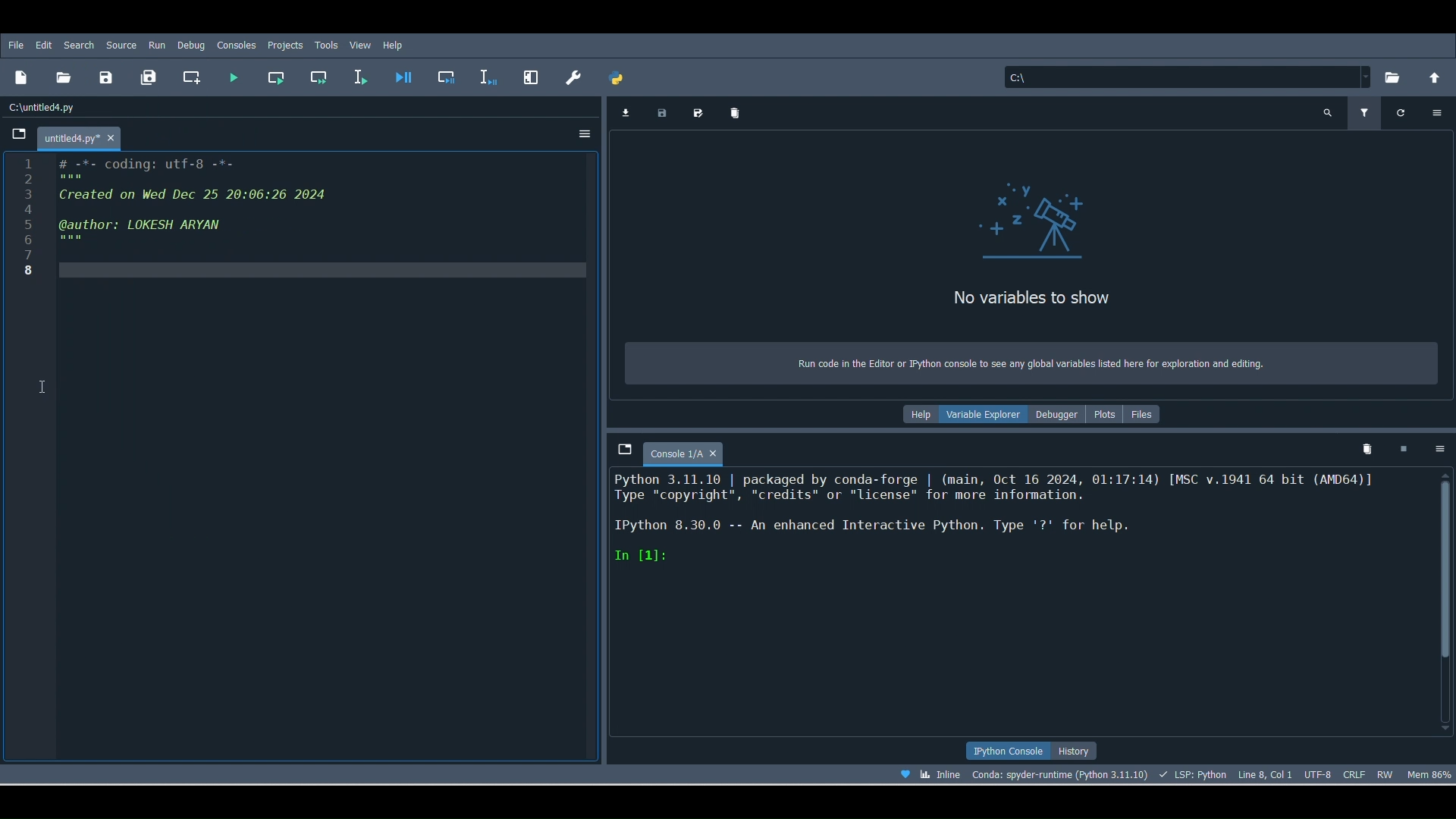 This screenshot has width=1456, height=819. What do you see at coordinates (1035, 219) in the screenshot?
I see `icon` at bounding box center [1035, 219].